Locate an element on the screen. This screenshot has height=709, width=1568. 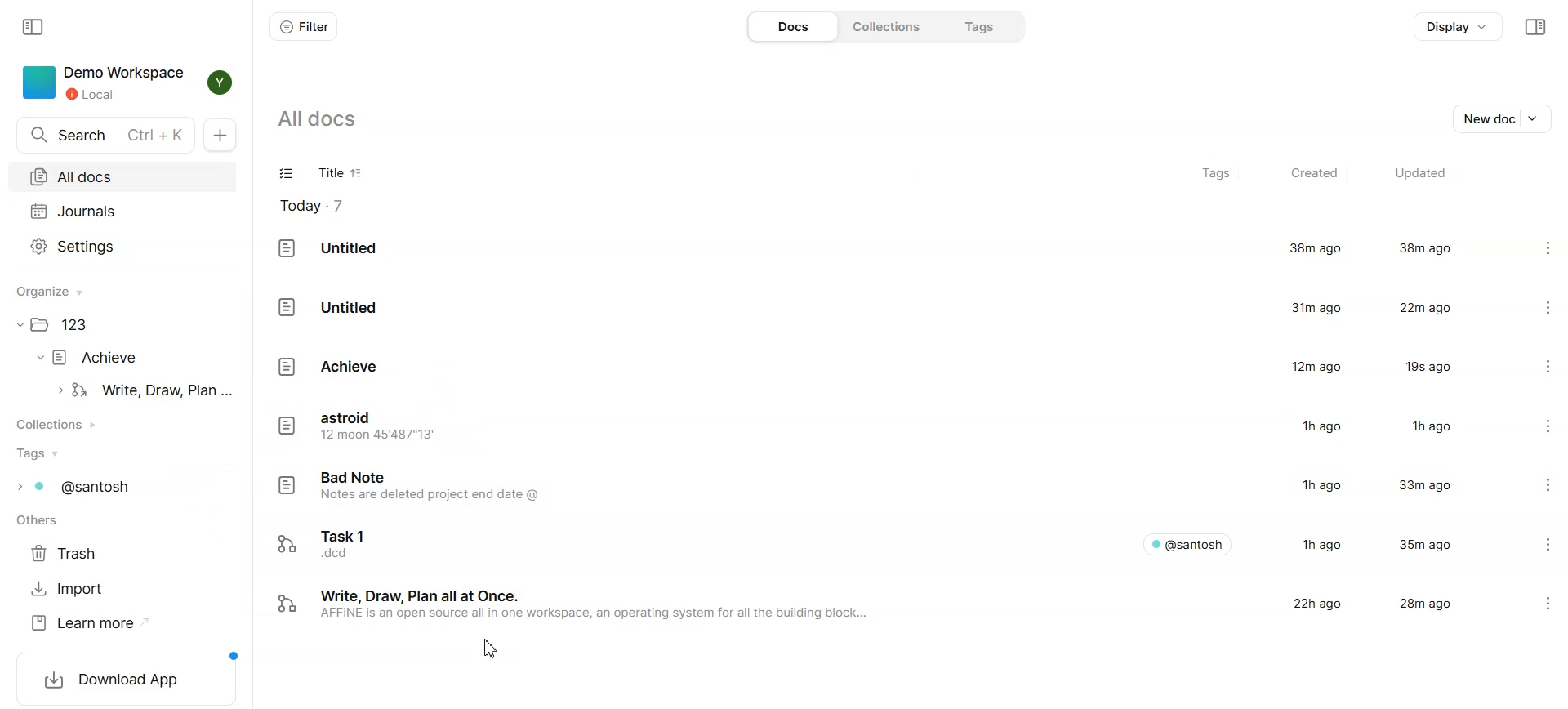
Collections is located at coordinates (884, 25).